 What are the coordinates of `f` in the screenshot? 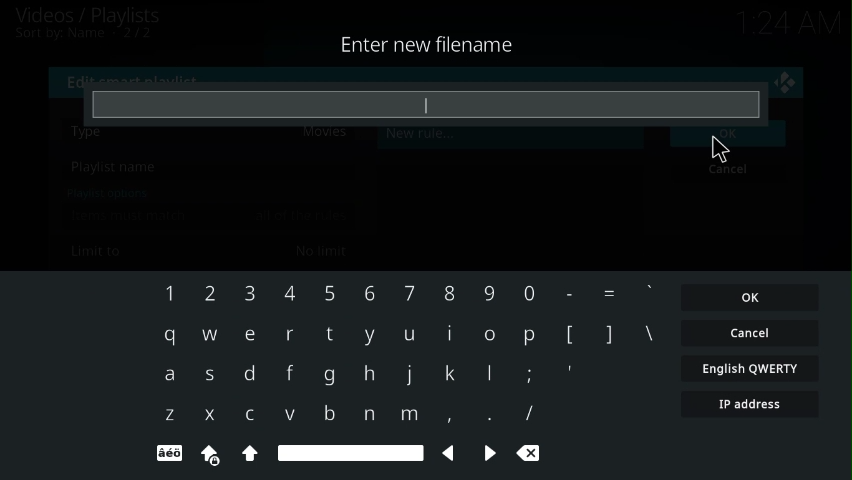 It's located at (290, 373).